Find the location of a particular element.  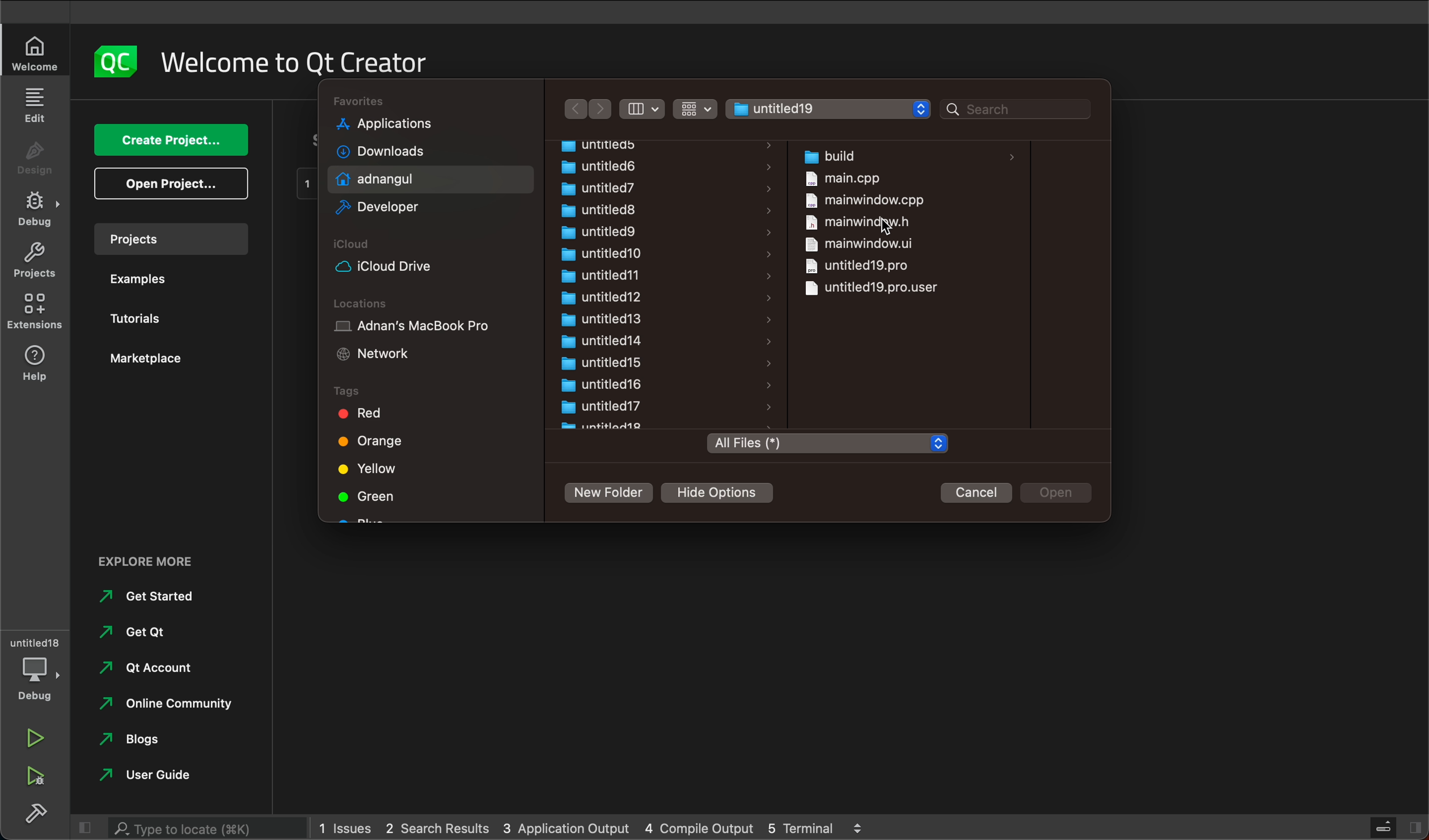

tutorials is located at coordinates (139, 319).